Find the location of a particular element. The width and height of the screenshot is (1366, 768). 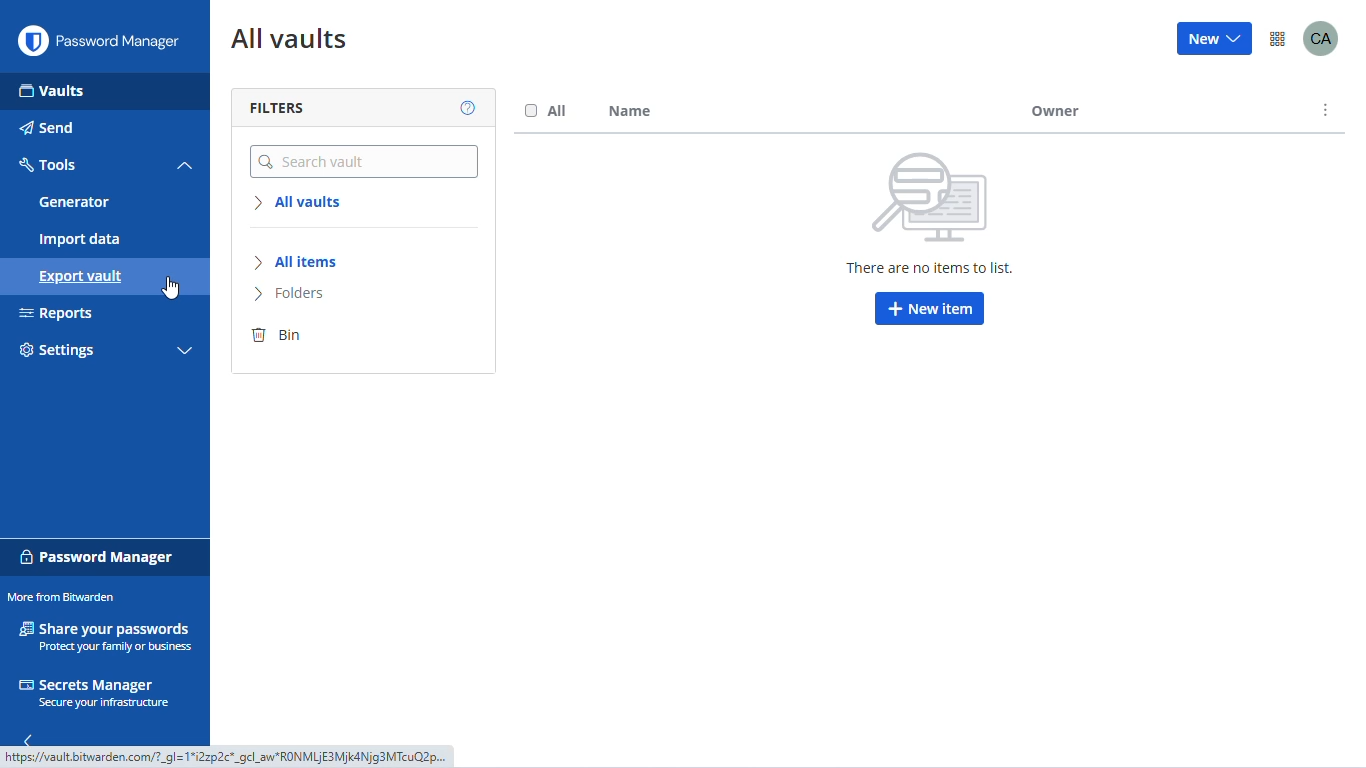

share your passwords is located at coordinates (105, 636).